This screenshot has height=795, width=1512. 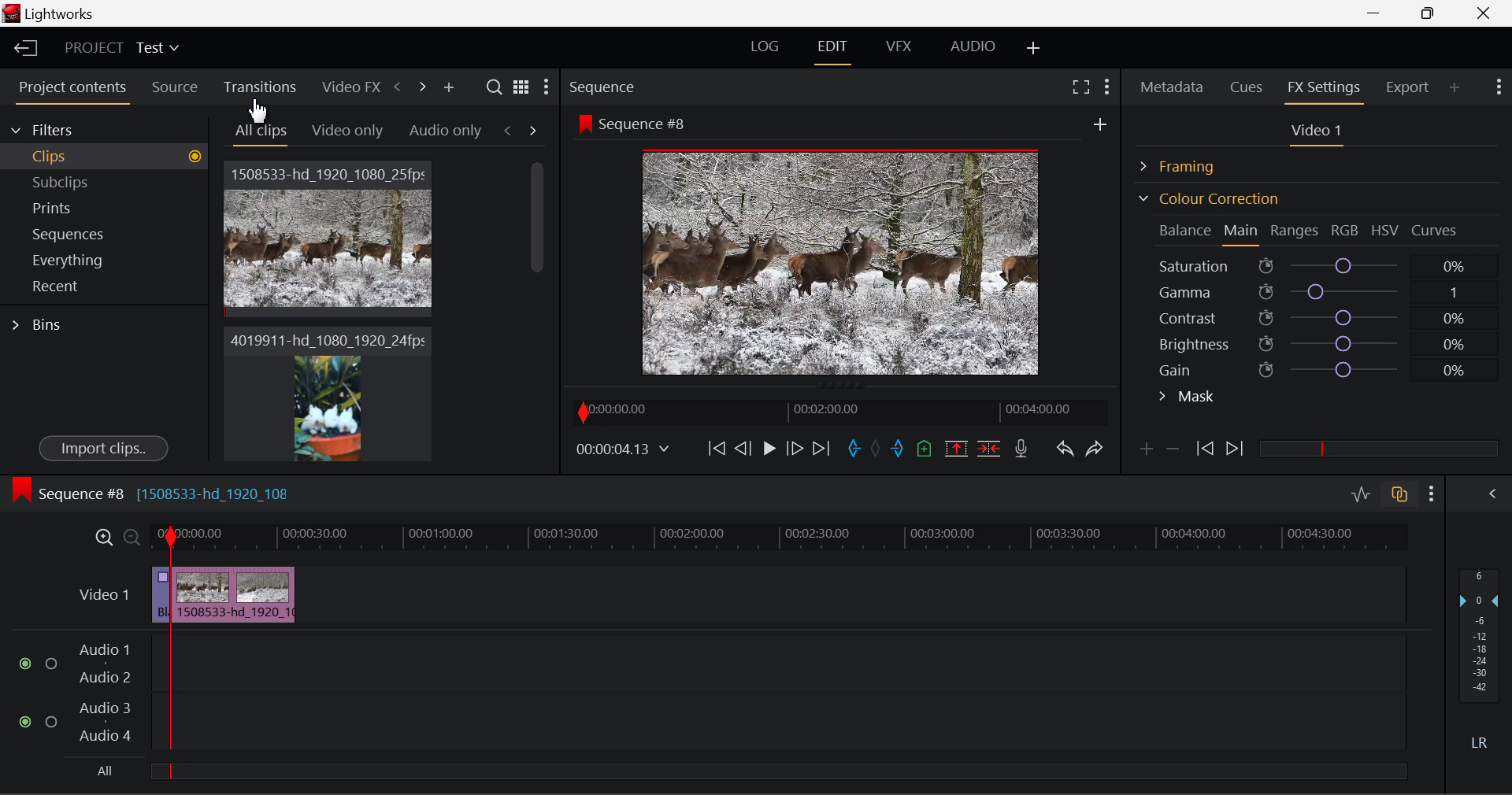 What do you see at coordinates (1143, 452) in the screenshot?
I see `Add keyframe` at bounding box center [1143, 452].